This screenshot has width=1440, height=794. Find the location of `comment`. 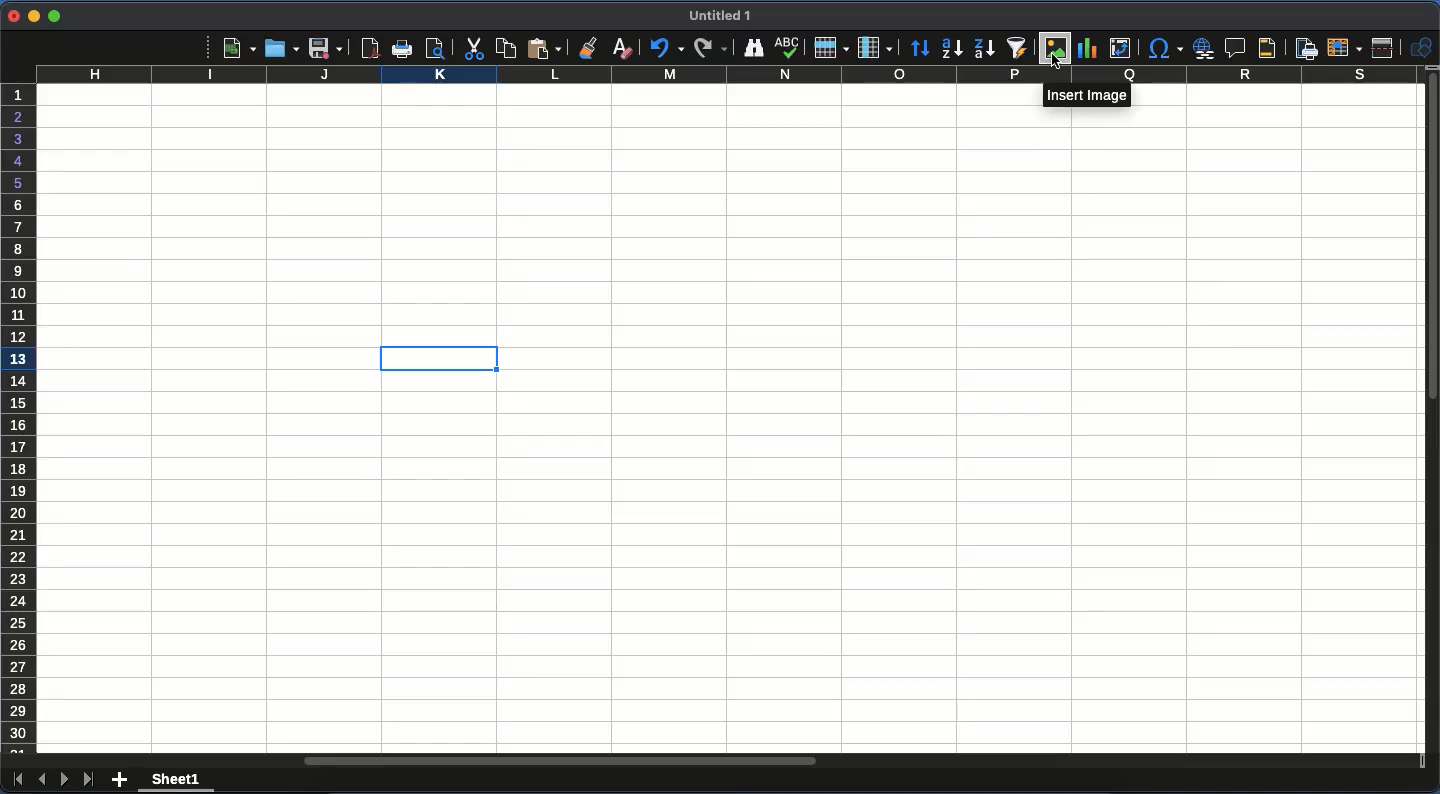

comment is located at coordinates (1236, 48).